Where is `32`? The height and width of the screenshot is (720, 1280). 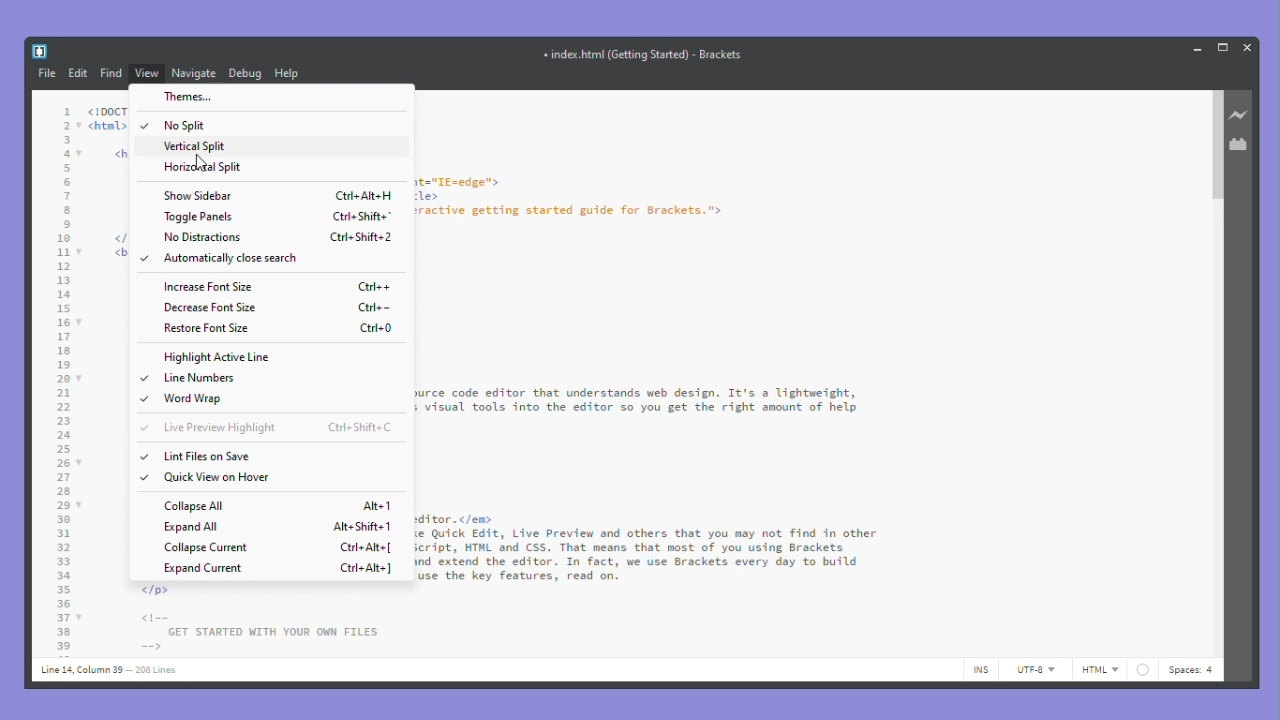
32 is located at coordinates (63, 548).